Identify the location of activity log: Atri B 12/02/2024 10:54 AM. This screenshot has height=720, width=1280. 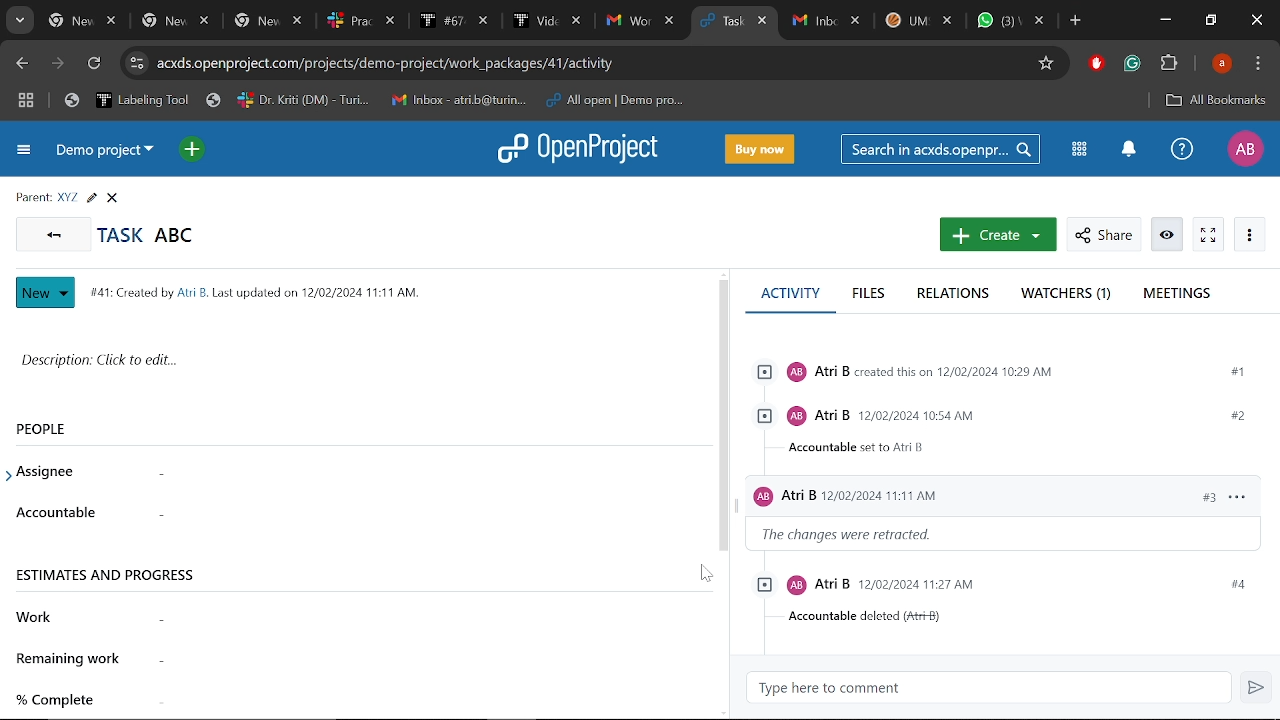
(1006, 416).